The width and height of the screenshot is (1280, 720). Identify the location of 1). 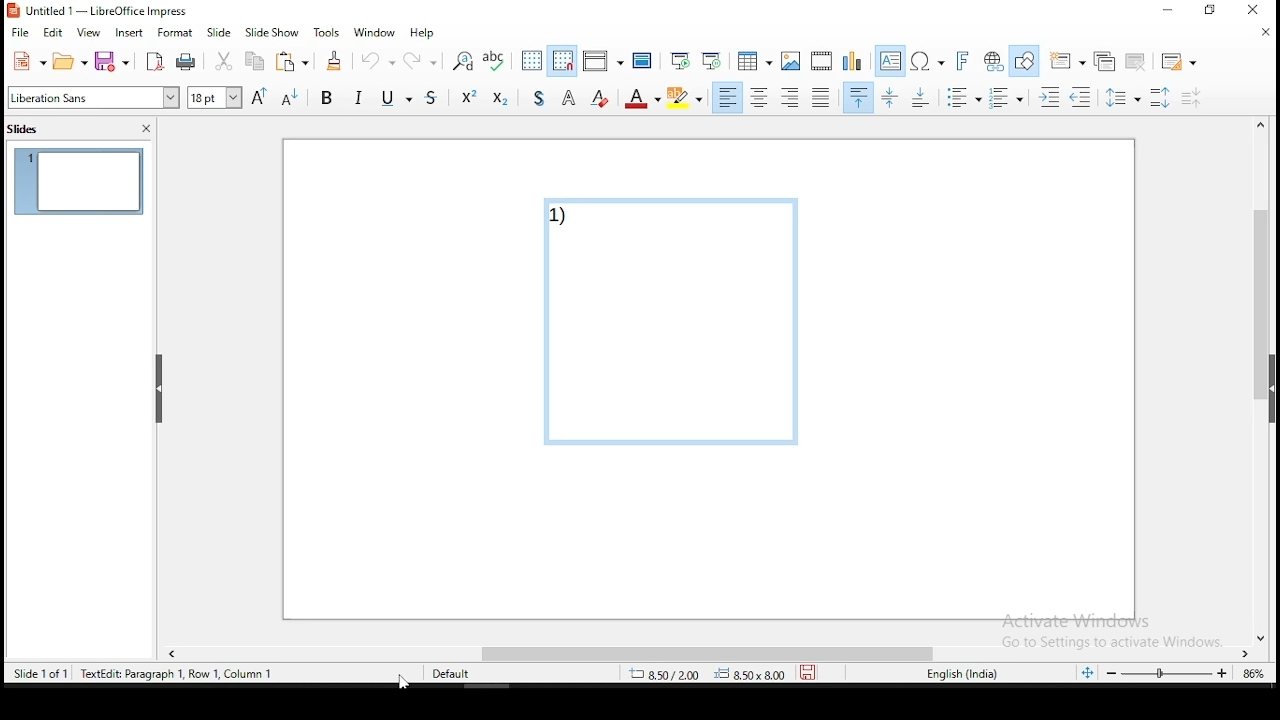
(673, 326).